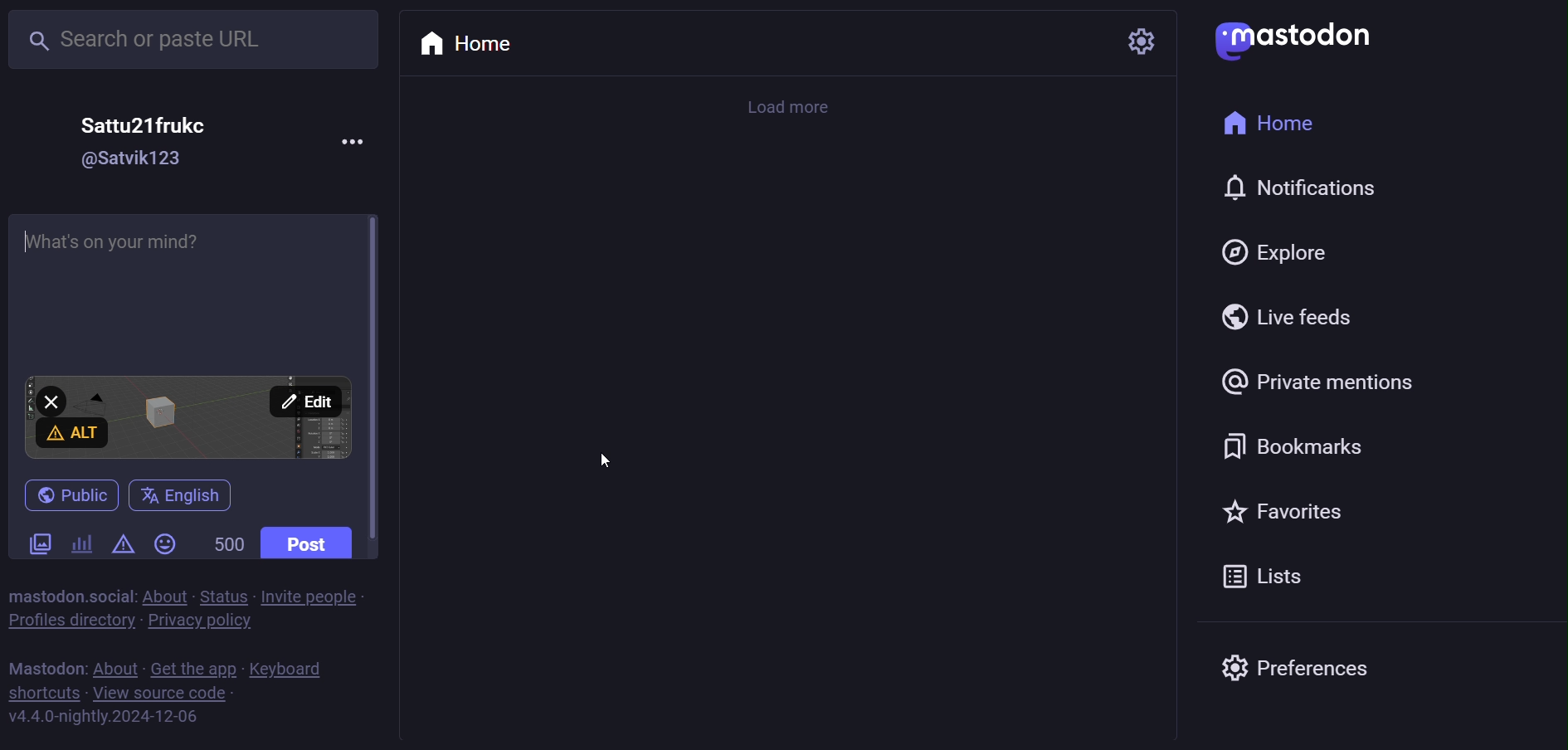 The width and height of the screenshot is (1568, 750). I want to click on poll, so click(82, 543).